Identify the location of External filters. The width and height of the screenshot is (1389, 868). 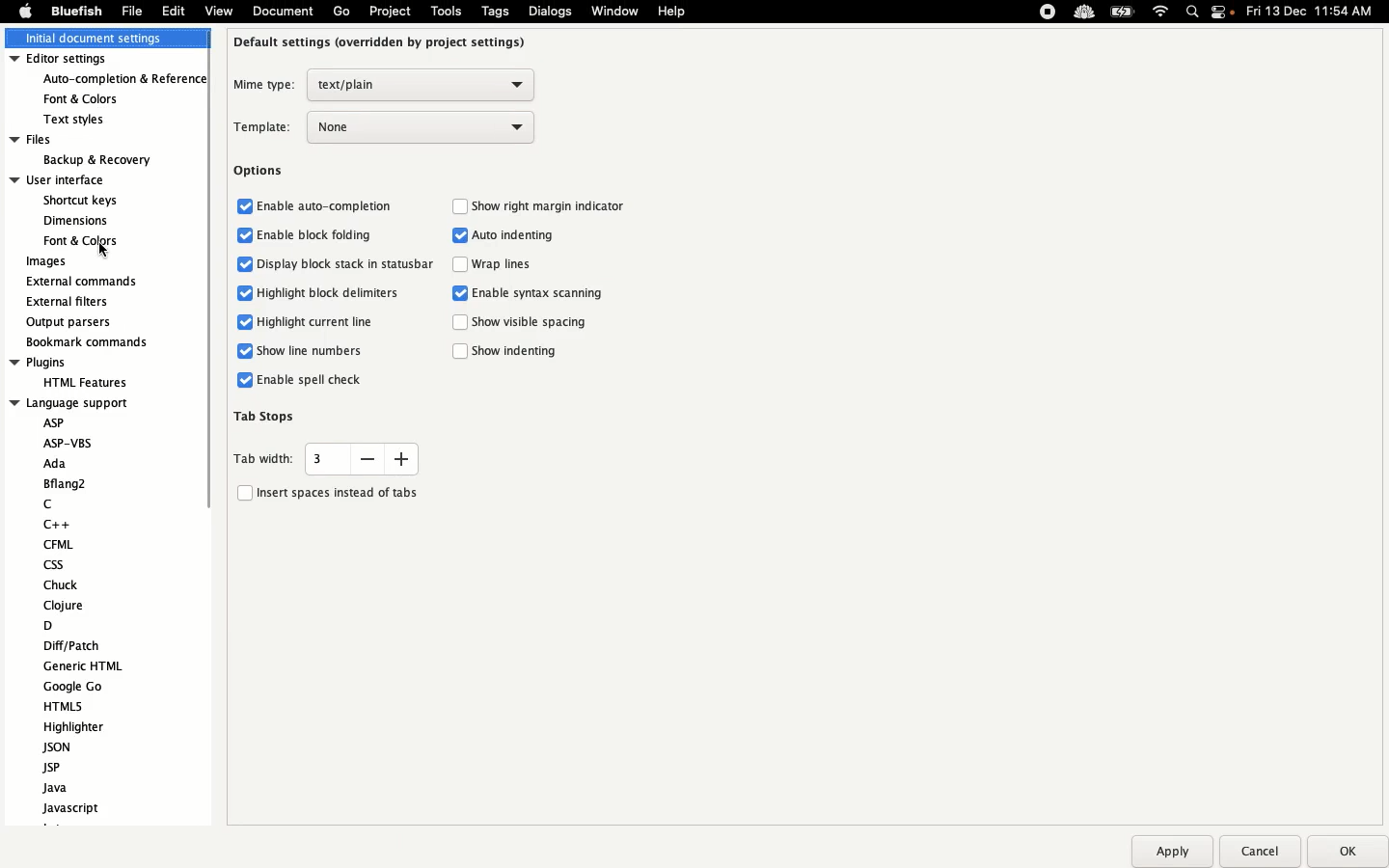
(70, 302).